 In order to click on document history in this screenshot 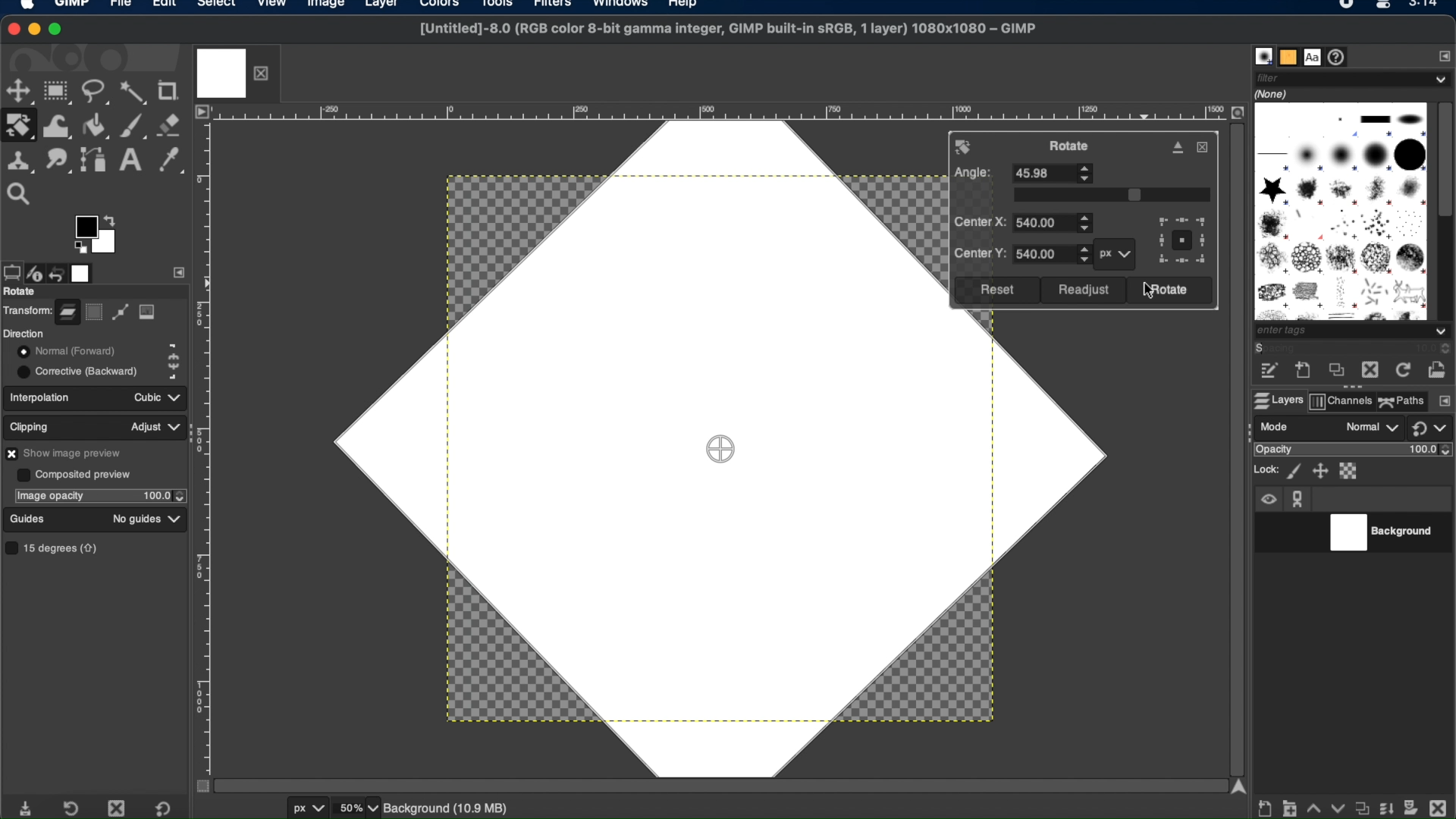, I will do `click(1340, 57)`.